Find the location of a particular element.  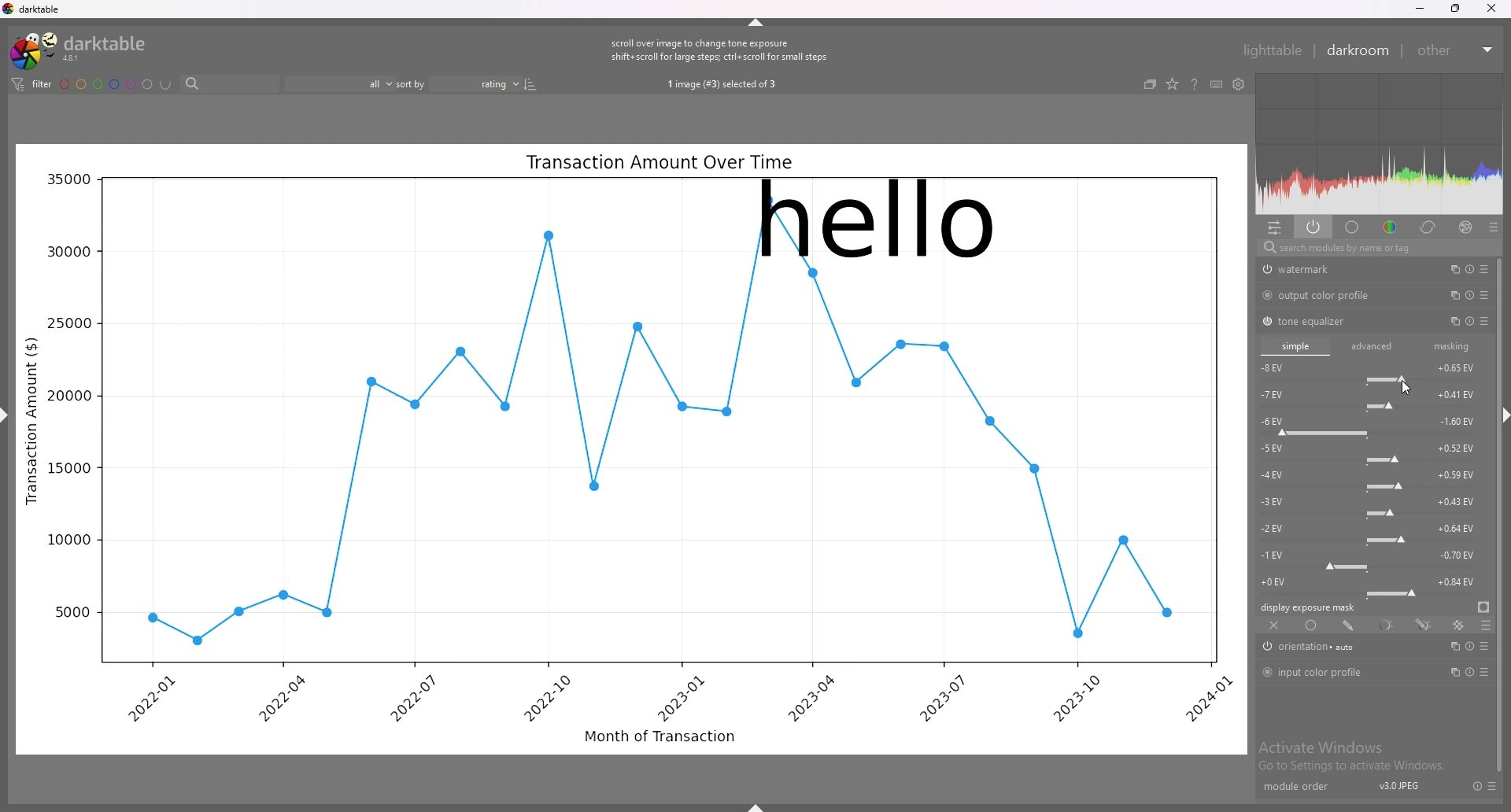

sort order is located at coordinates (475, 83).